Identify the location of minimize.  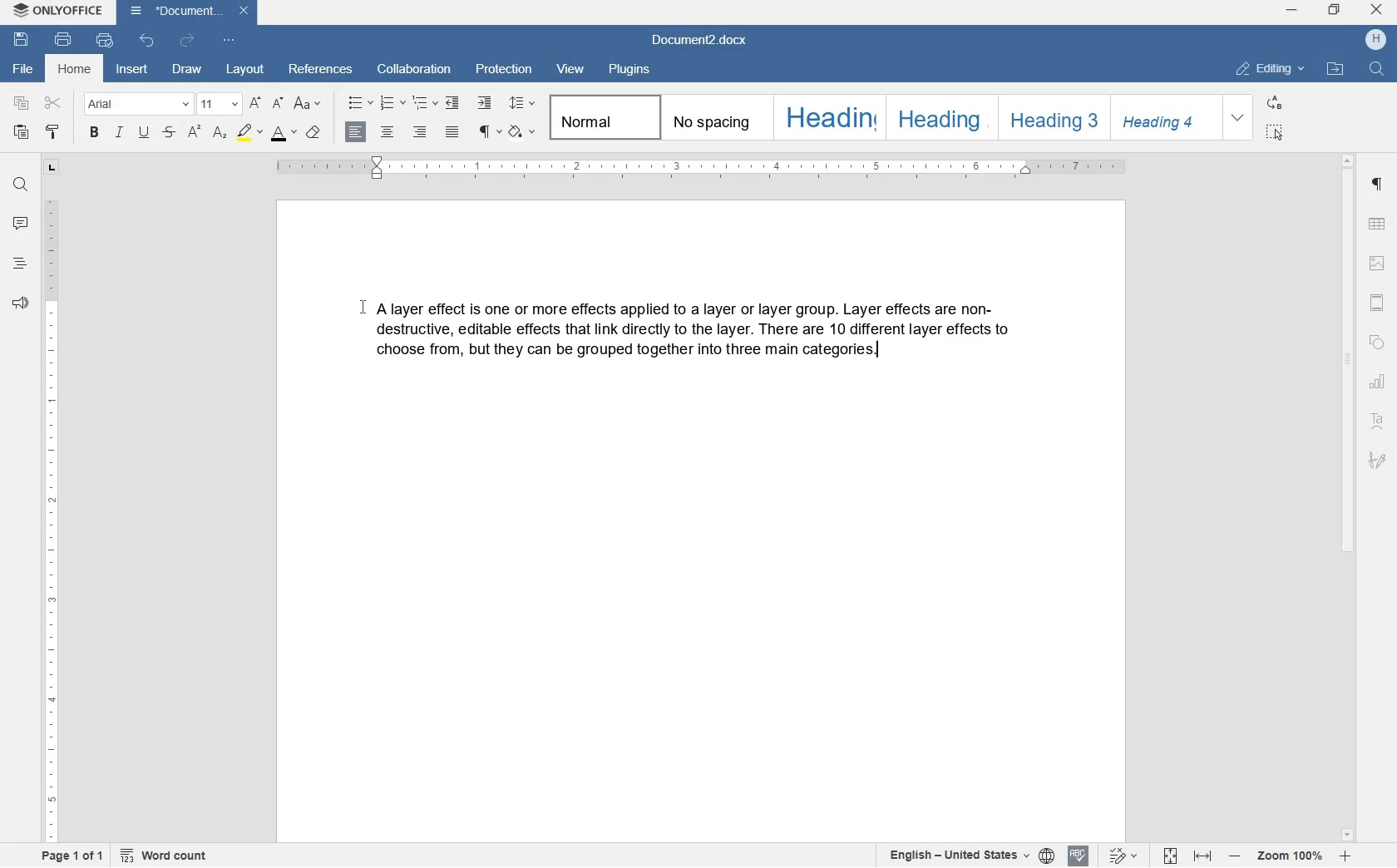
(1291, 11).